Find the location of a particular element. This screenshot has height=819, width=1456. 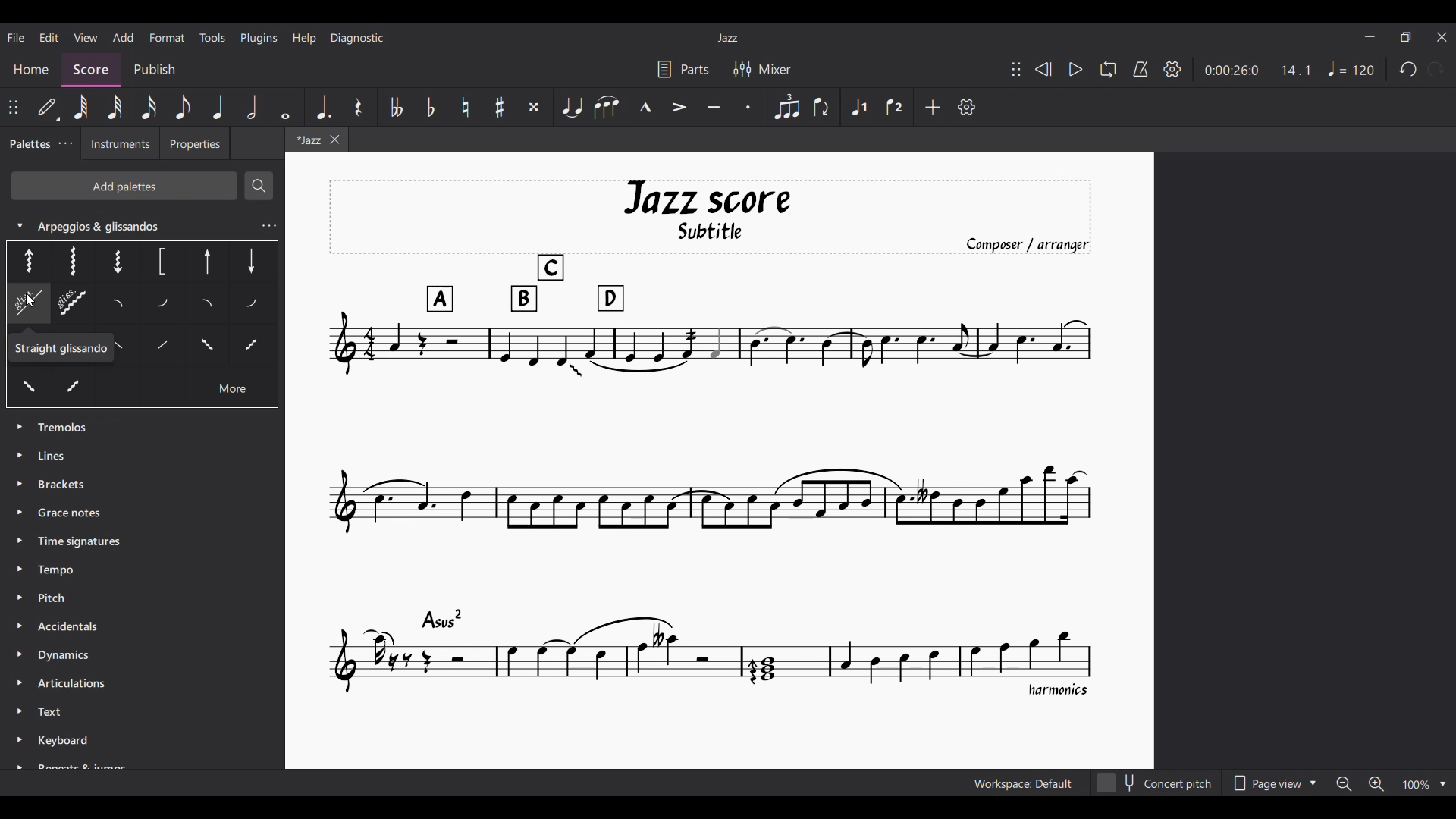

Palettes is located at coordinates (27, 145).